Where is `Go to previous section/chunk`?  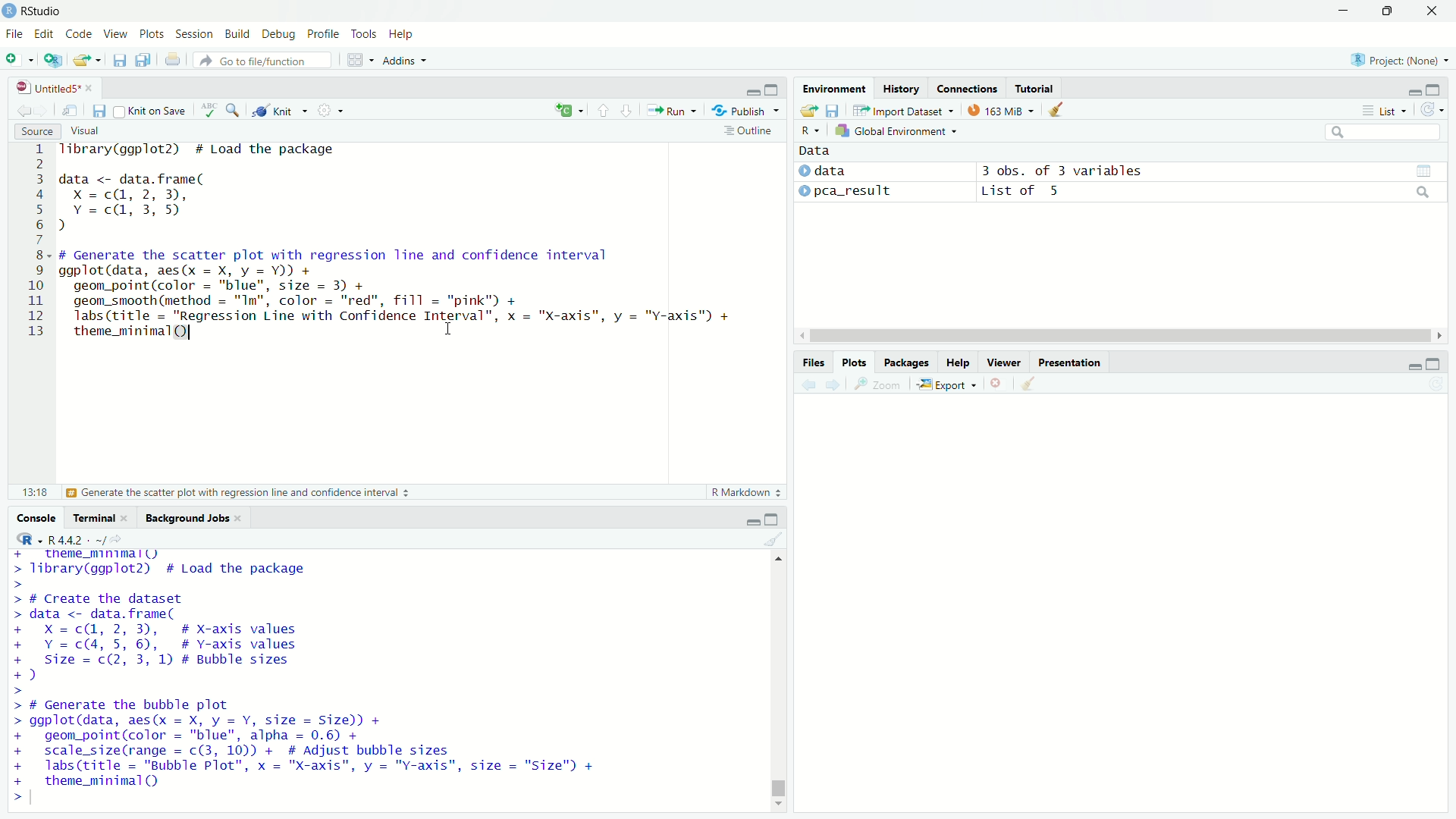
Go to previous section/chunk is located at coordinates (601, 109).